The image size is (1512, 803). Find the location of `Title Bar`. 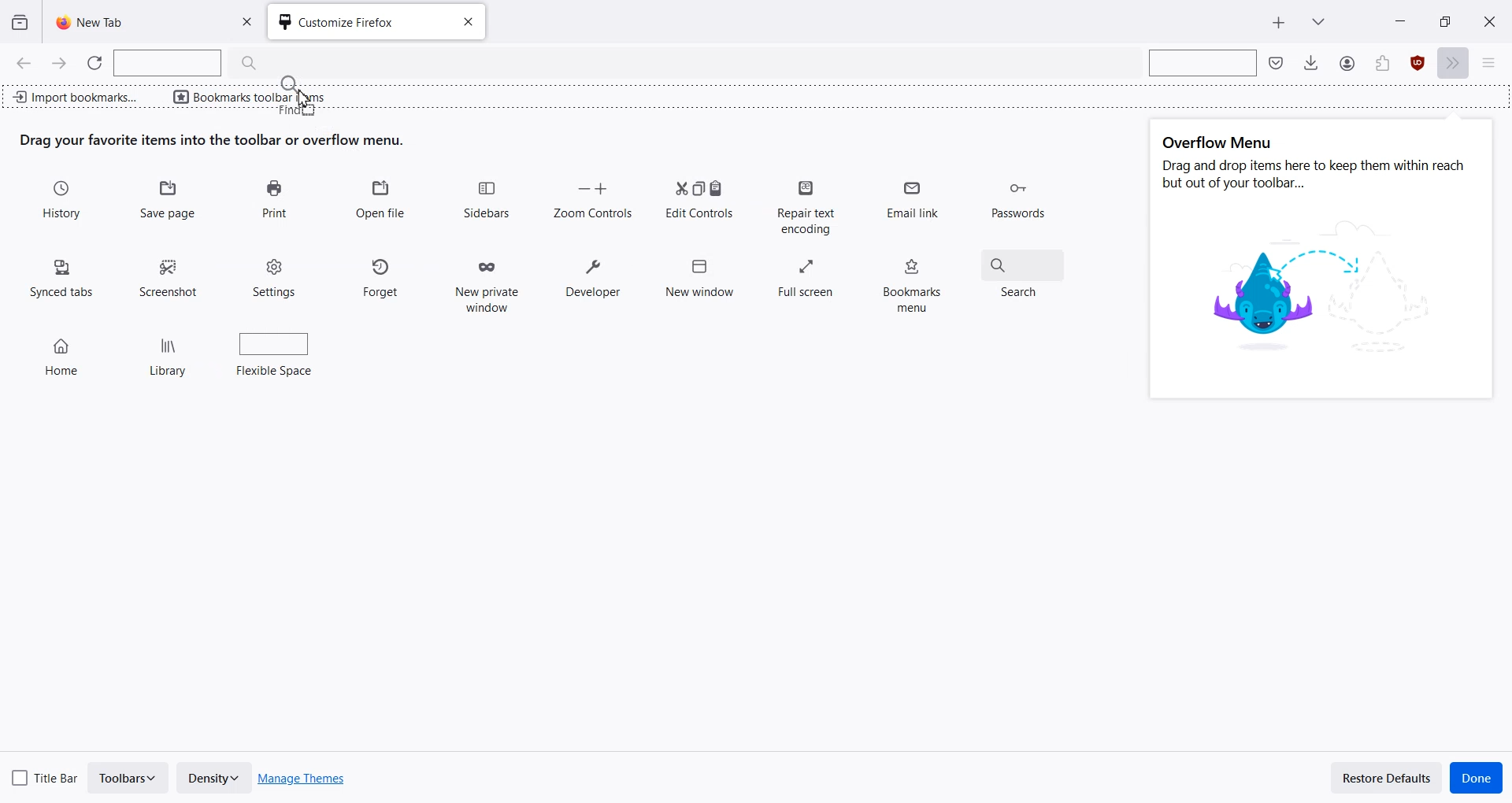

Title Bar is located at coordinates (46, 775).